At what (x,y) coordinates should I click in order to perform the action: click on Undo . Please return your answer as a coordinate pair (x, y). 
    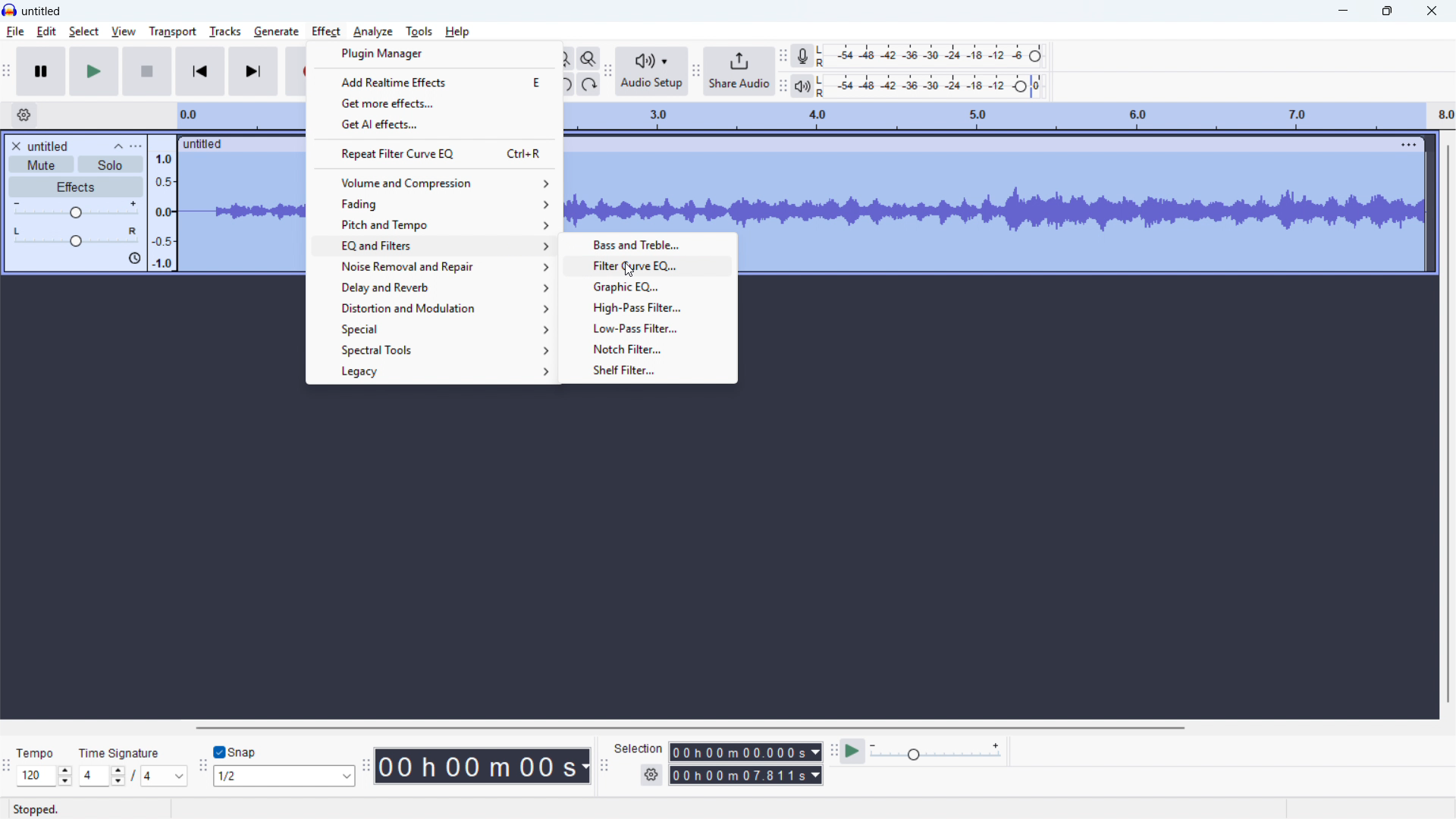
    Looking at the image, I should click on (566, 84).